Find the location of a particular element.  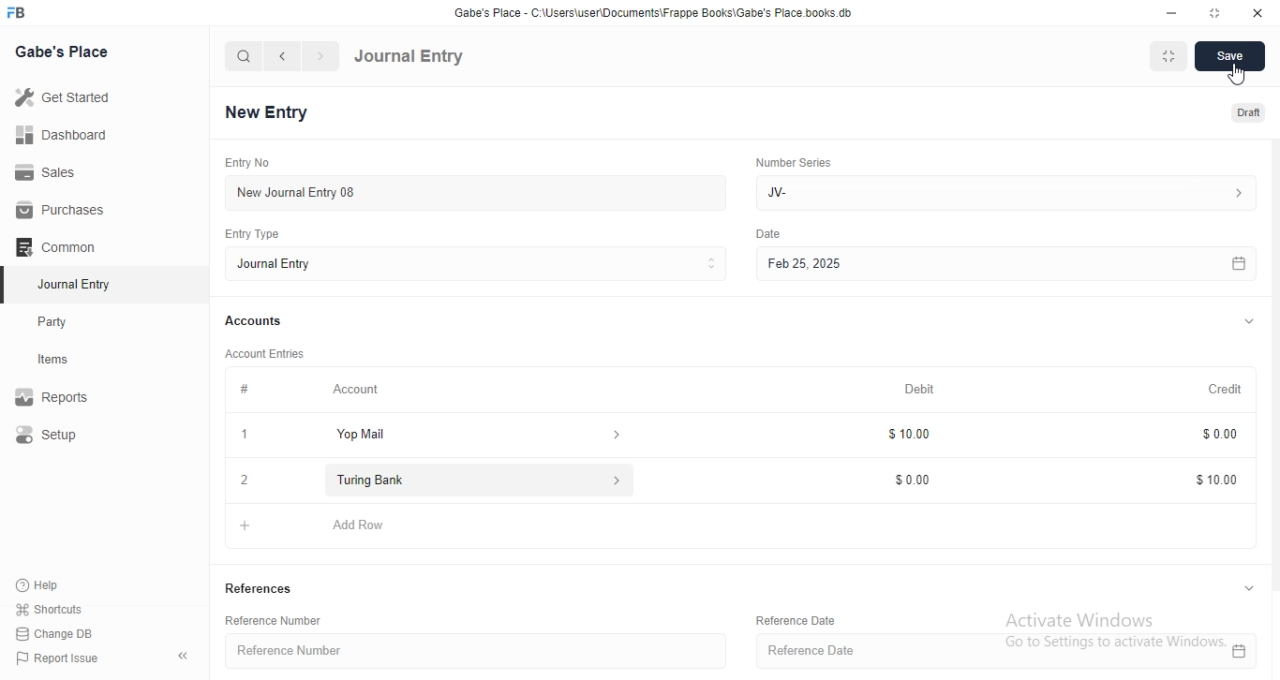

Entry No is located at coordinates (245, 161).